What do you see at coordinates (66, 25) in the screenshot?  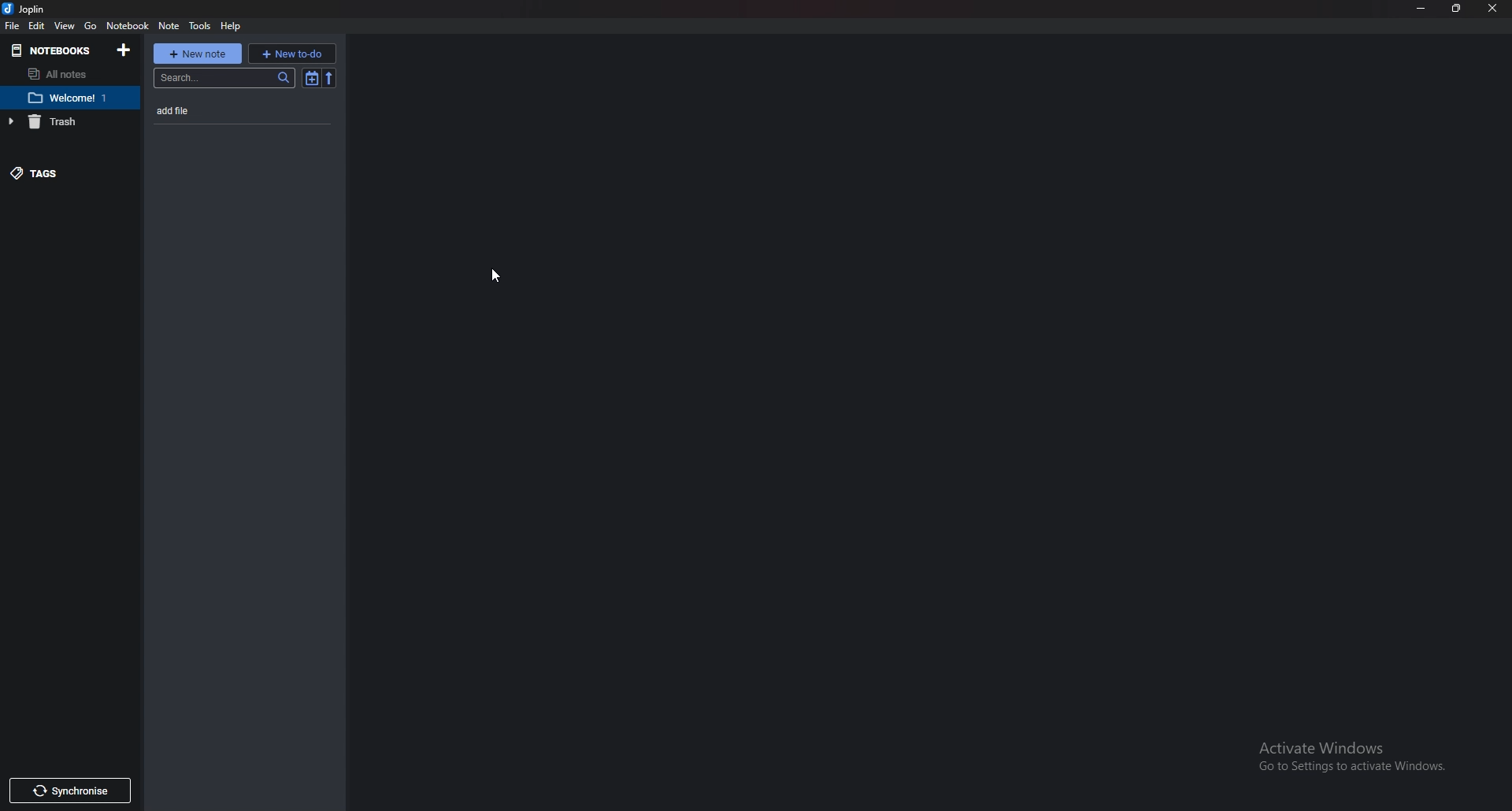 I see `View` at bounding box center [66, 25].